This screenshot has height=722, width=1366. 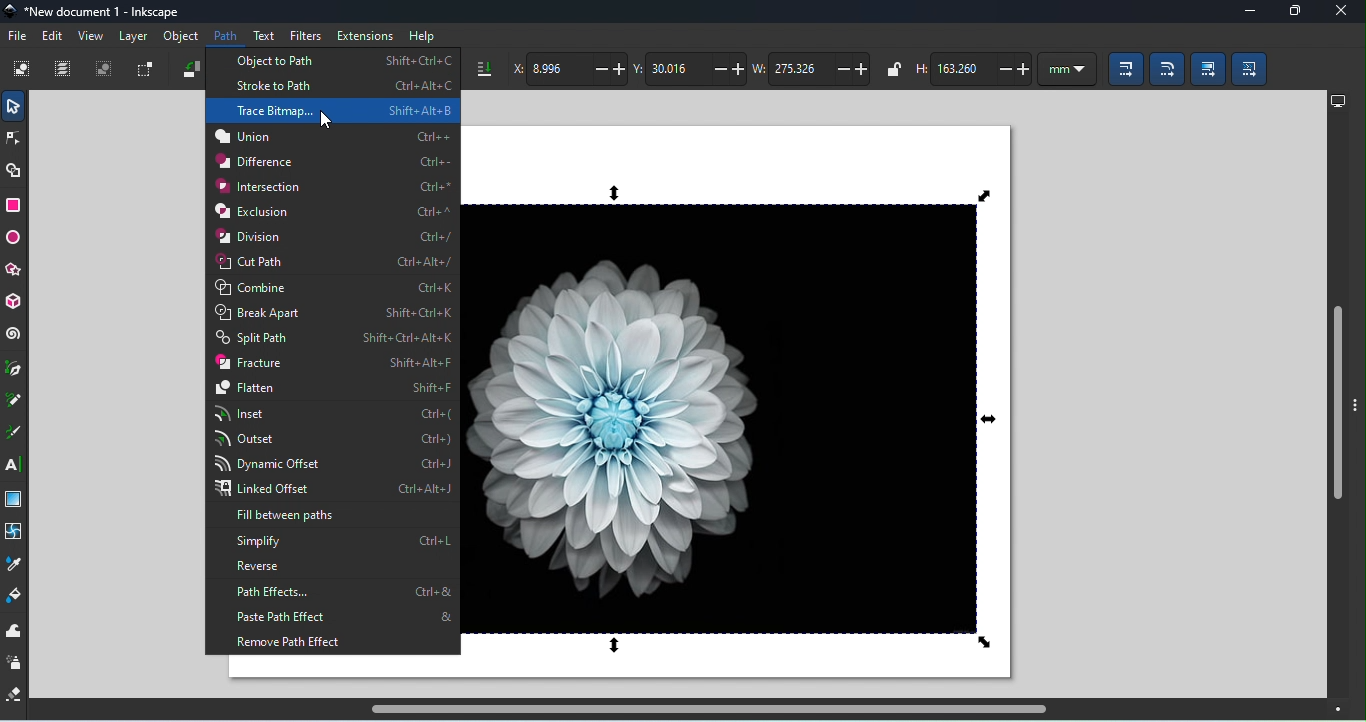 What do you see at coordinates (1122, 71) in the screenshot?
I see `When scaling objects, scale the stroke width by same proportion` at bounding box center [1122, 71].